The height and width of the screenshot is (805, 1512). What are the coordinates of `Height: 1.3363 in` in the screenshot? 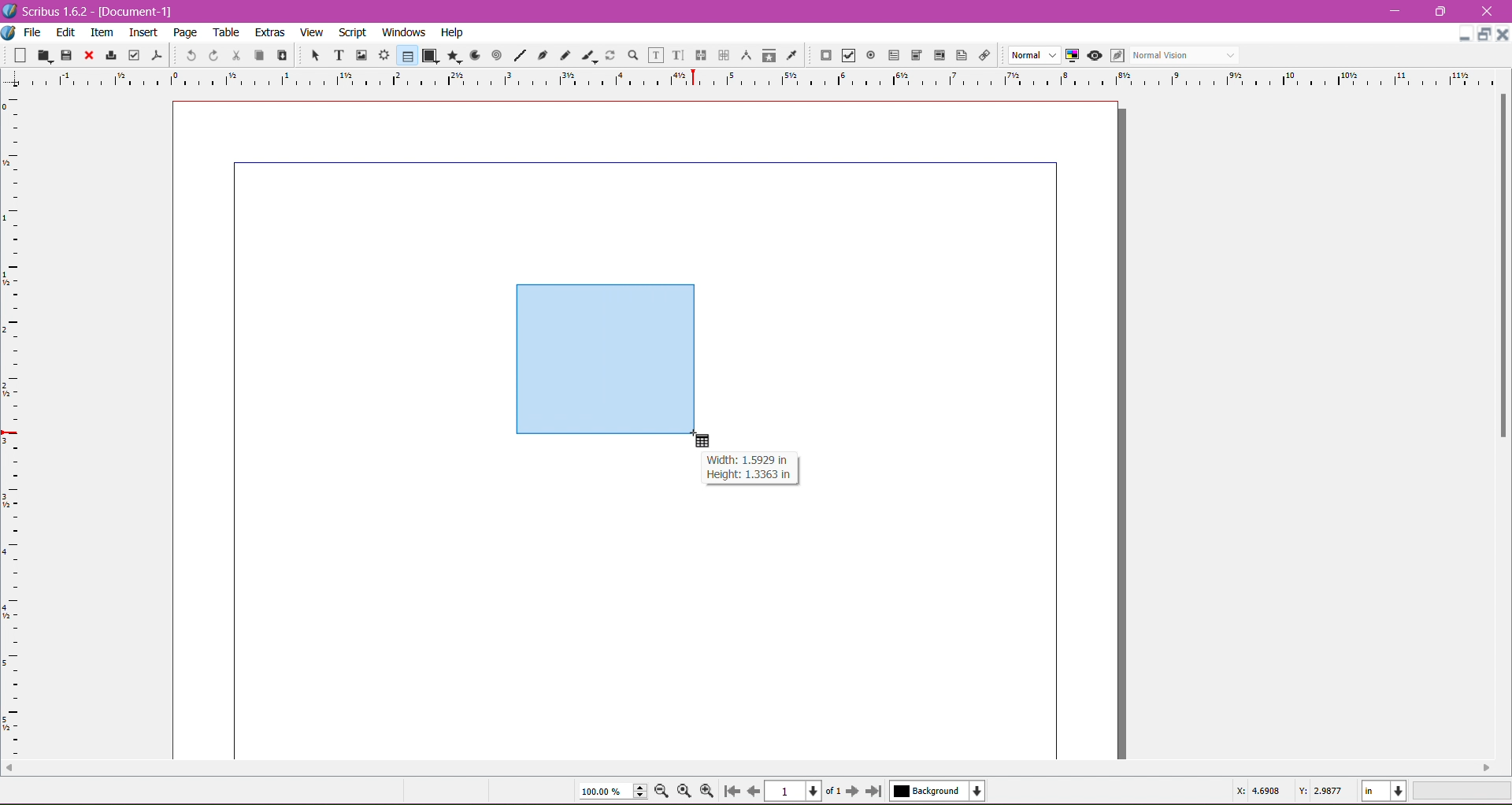 It's located at (744, 477).